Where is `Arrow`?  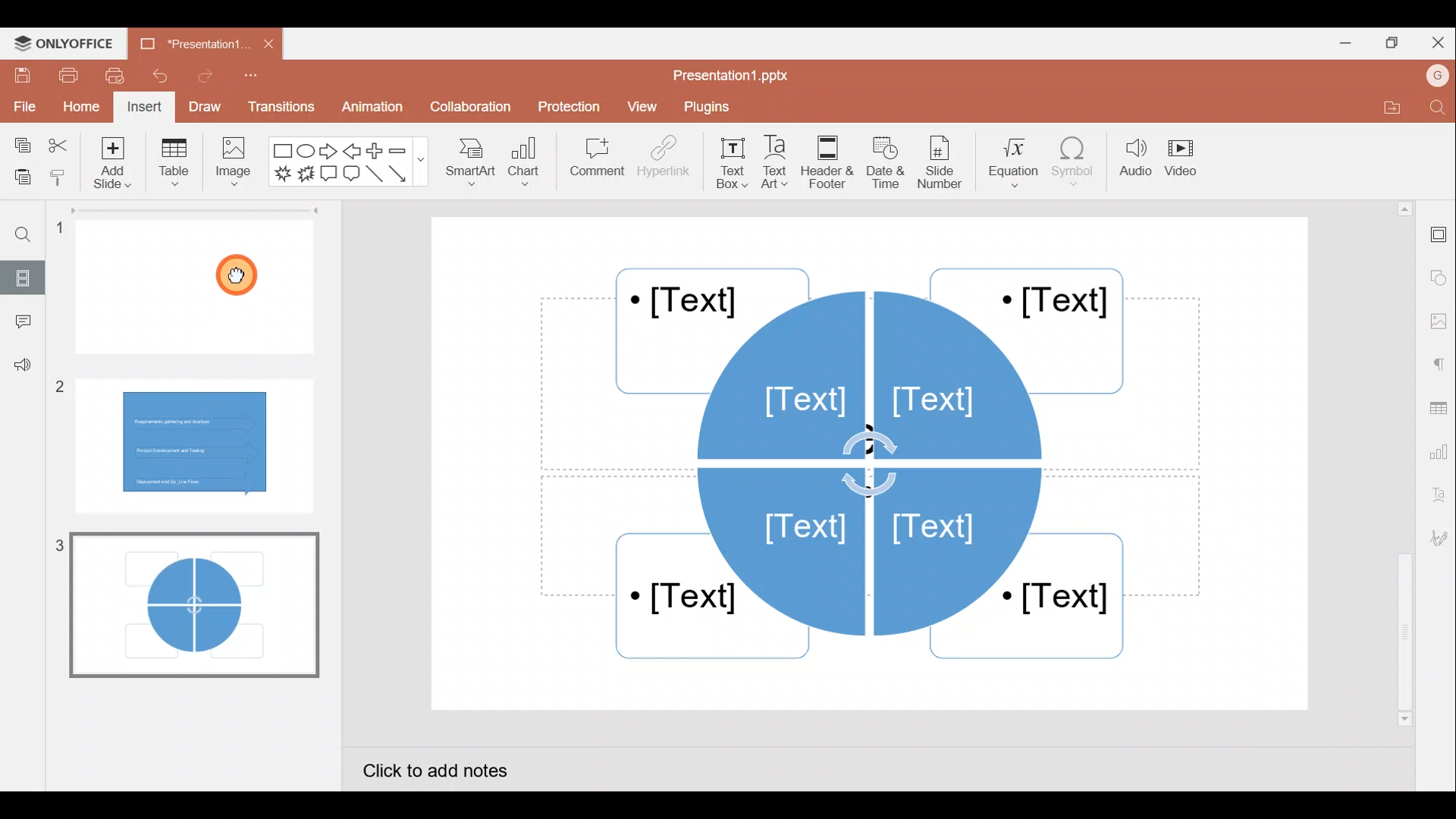 Arrow is located at coordinates (401, 174).